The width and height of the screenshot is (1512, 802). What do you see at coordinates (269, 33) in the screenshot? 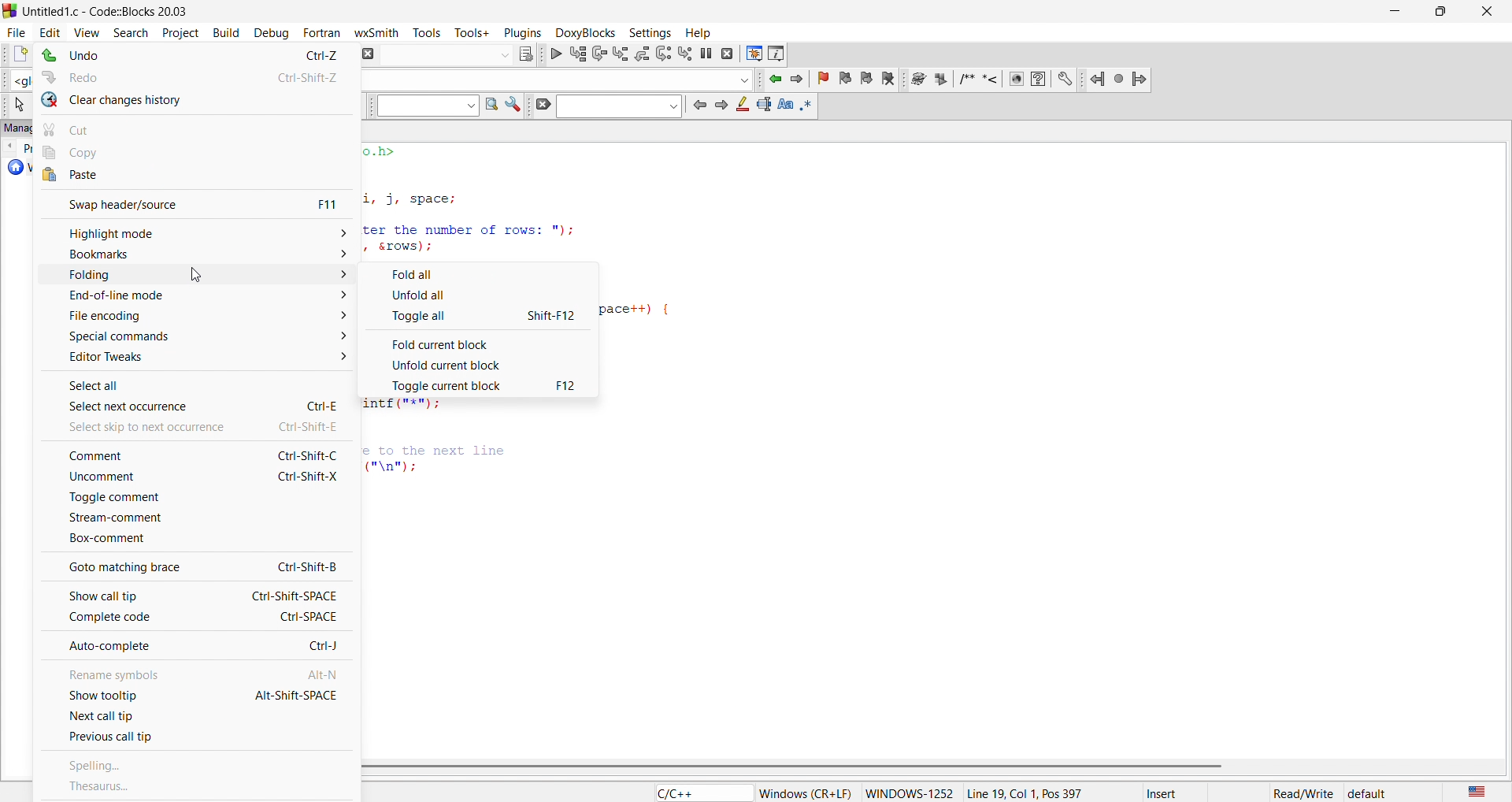
I see `debug` at bounding box center [269, 33].